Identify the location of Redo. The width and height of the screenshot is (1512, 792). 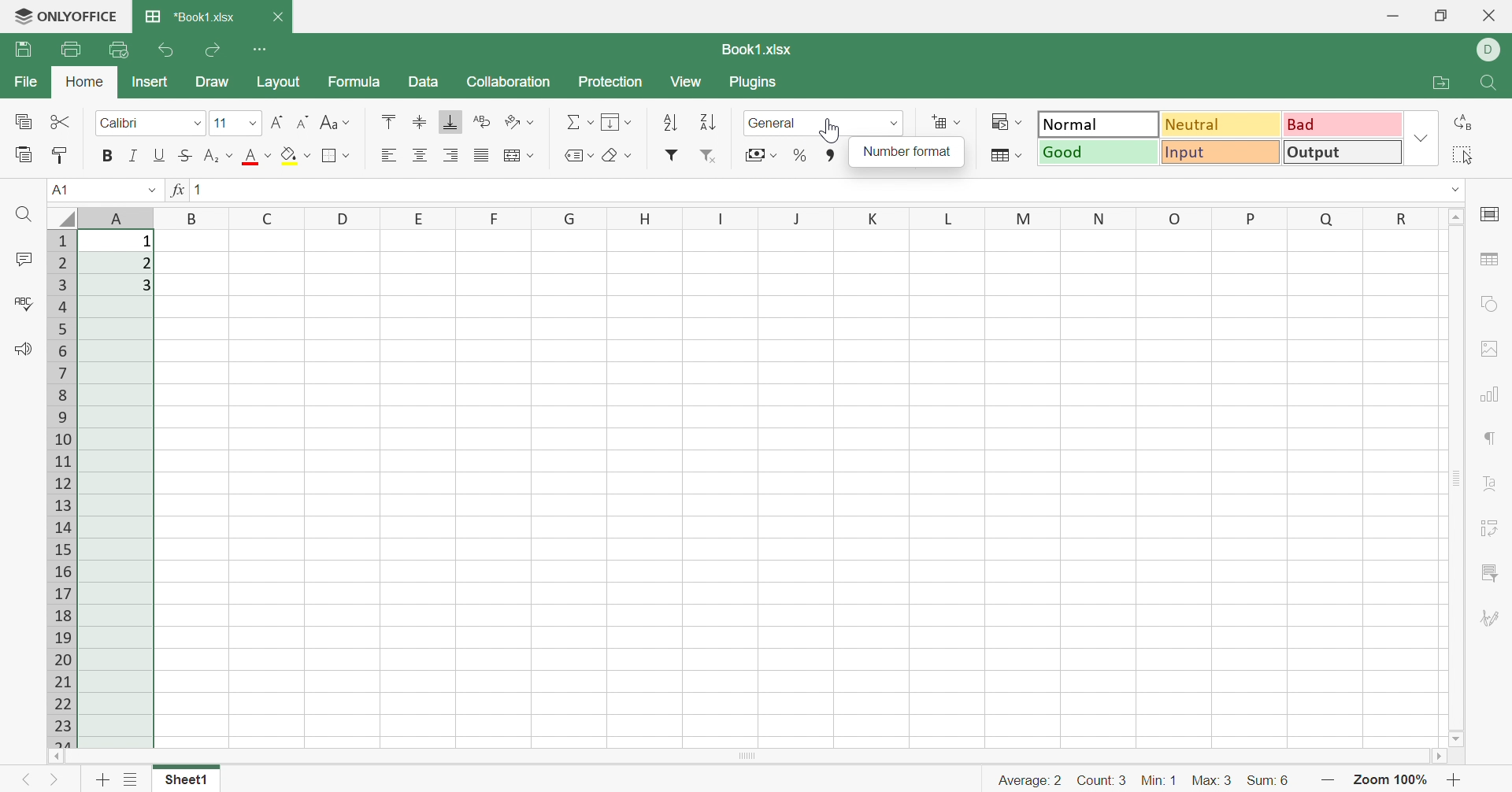
(216, 48).